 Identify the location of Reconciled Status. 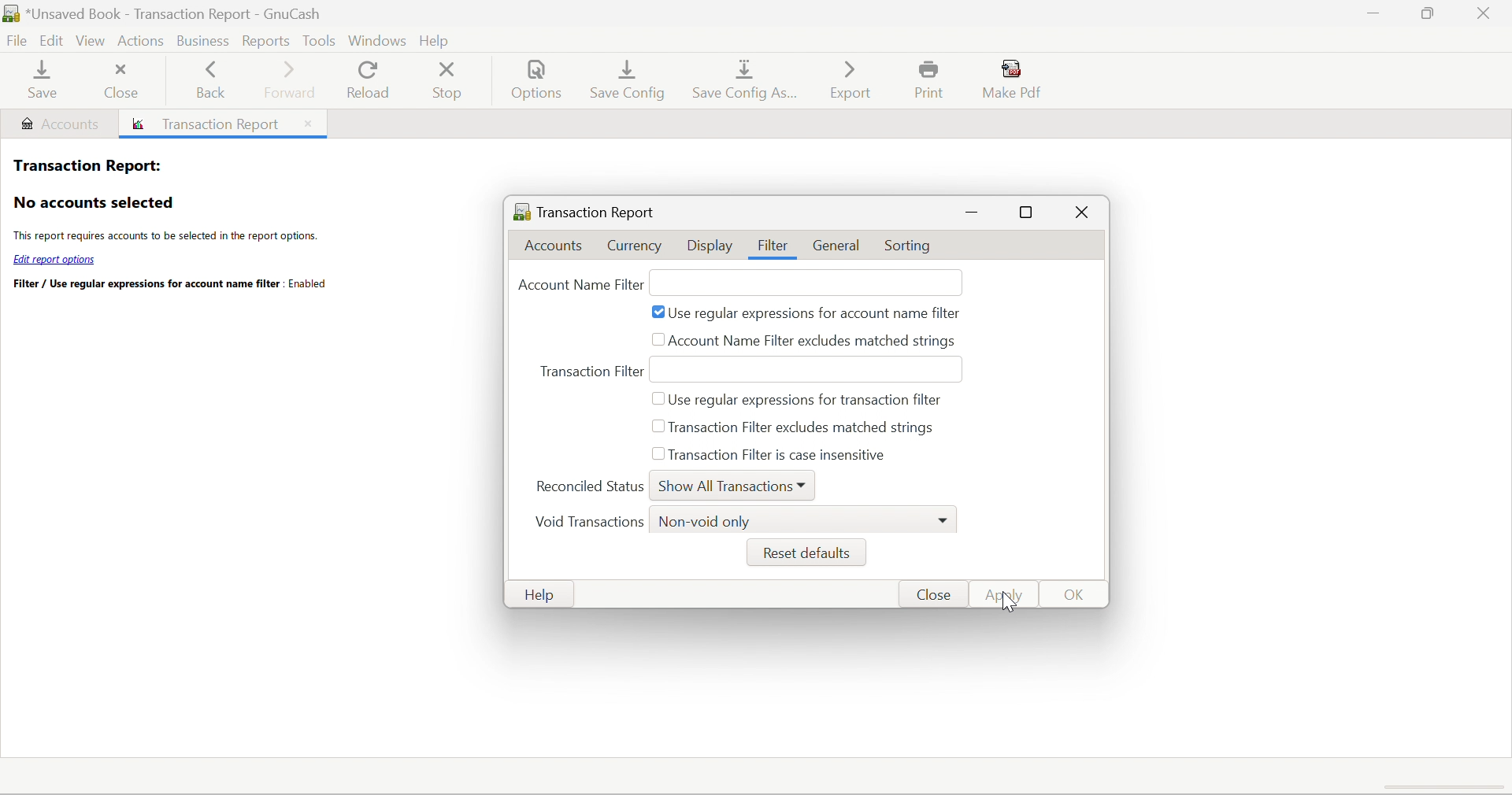
(590, 486).